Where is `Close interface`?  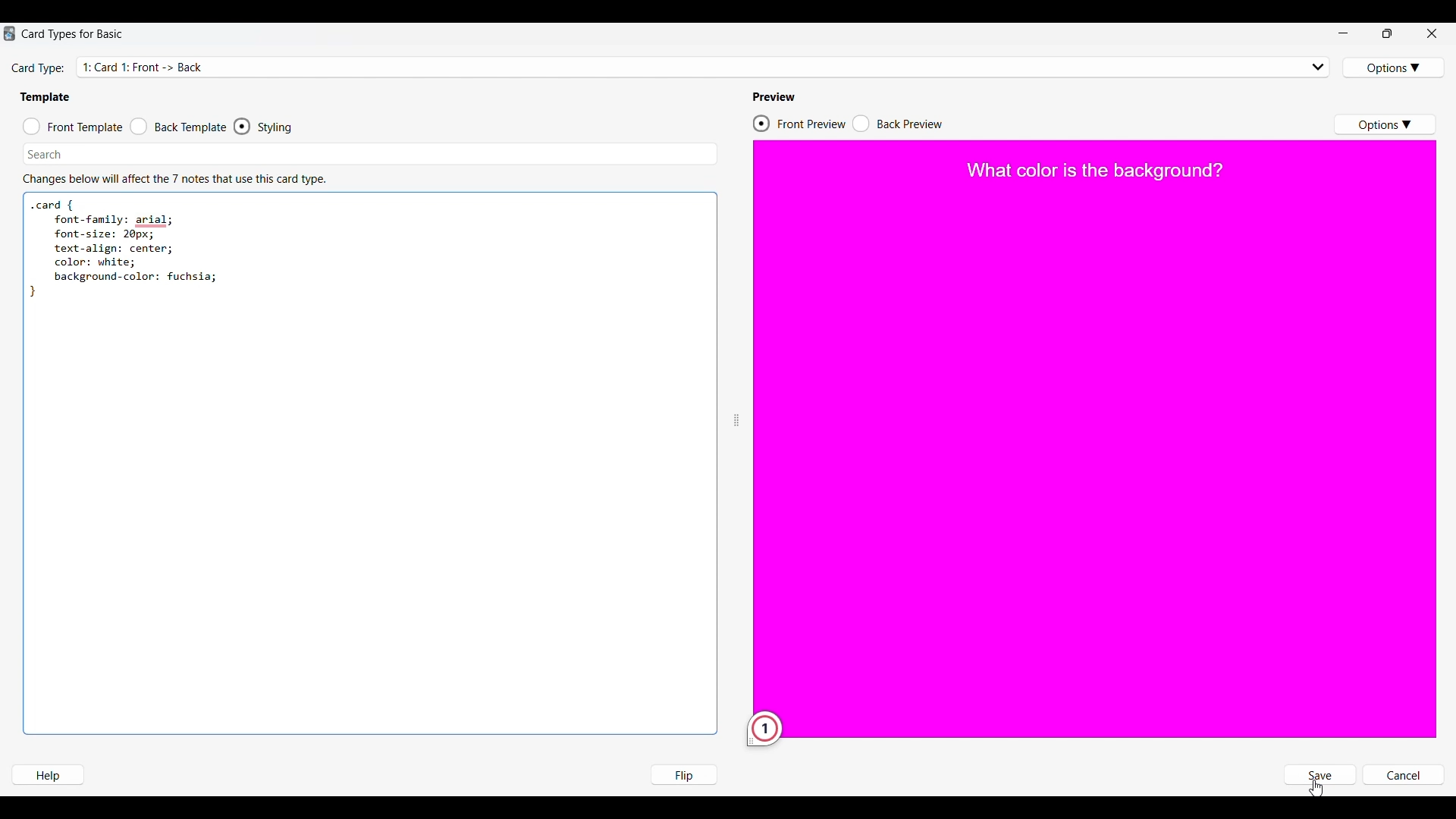
Close interface is located at coordinates (1432, 33).